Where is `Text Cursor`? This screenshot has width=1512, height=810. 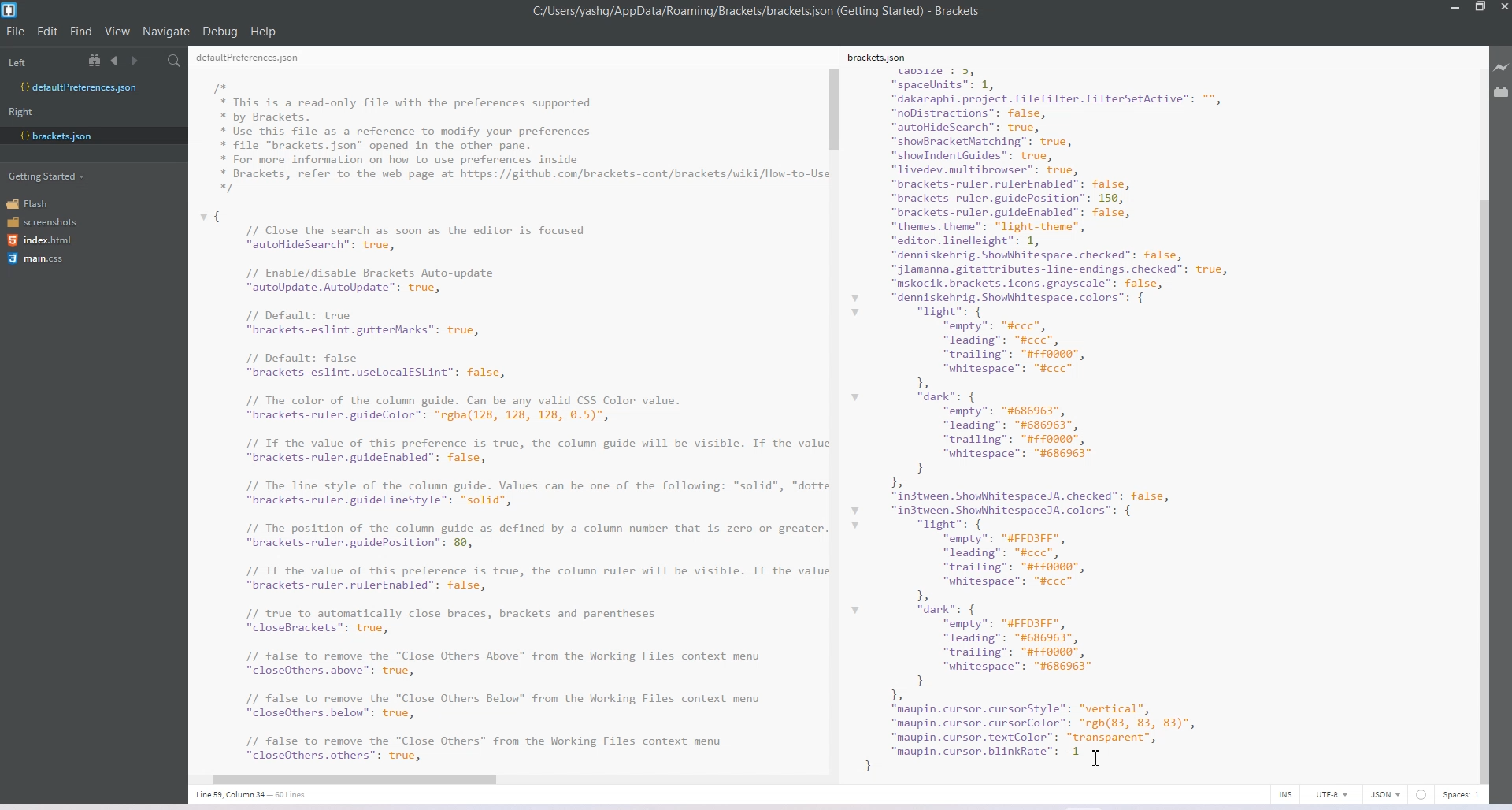 Text Cursor is located at coordinates (1097, 757).